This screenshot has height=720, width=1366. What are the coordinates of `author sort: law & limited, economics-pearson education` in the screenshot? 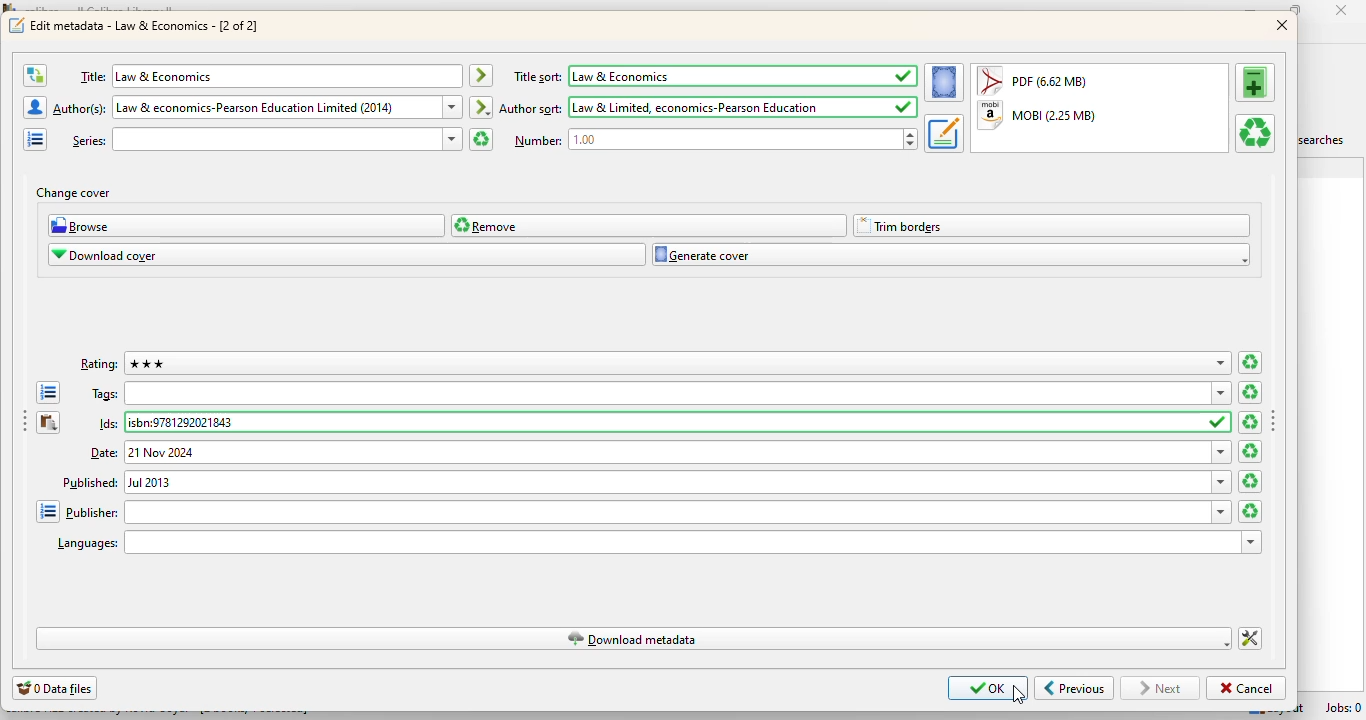 It's located at (708, 107).